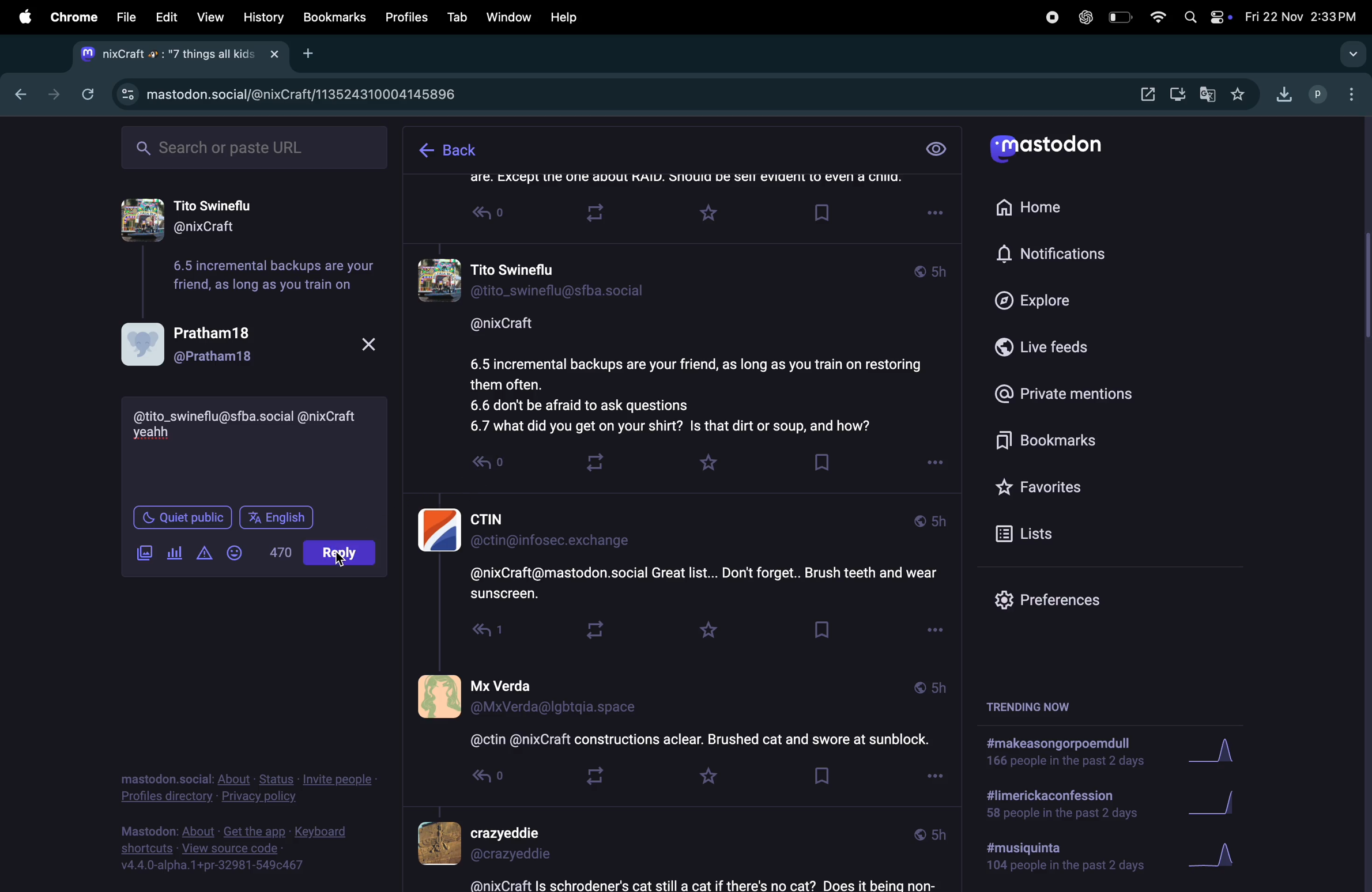 The height and width of the screenshot is (892, 1372). I want to click on mastodon logo, so click(1057, 149).